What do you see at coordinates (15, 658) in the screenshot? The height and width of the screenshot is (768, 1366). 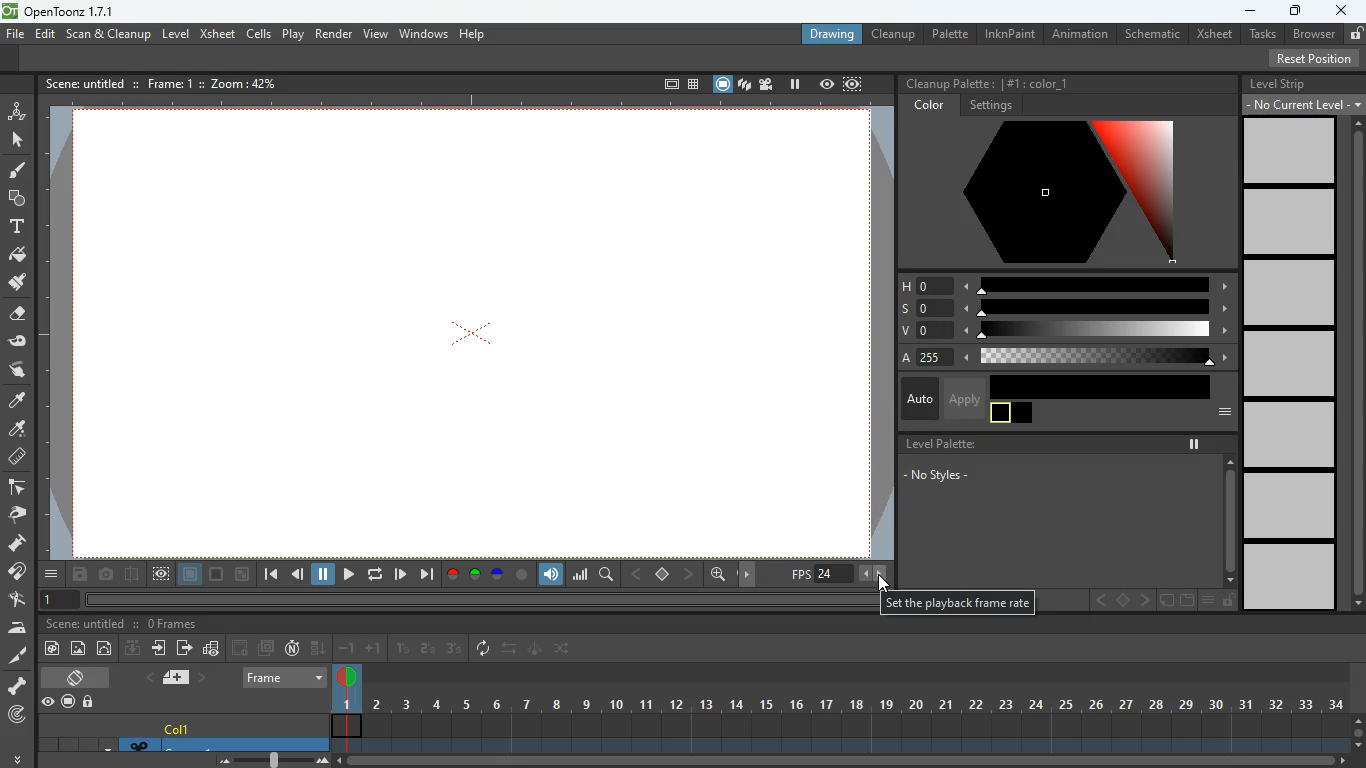 I see `cut` at bounding box center [15, 658].